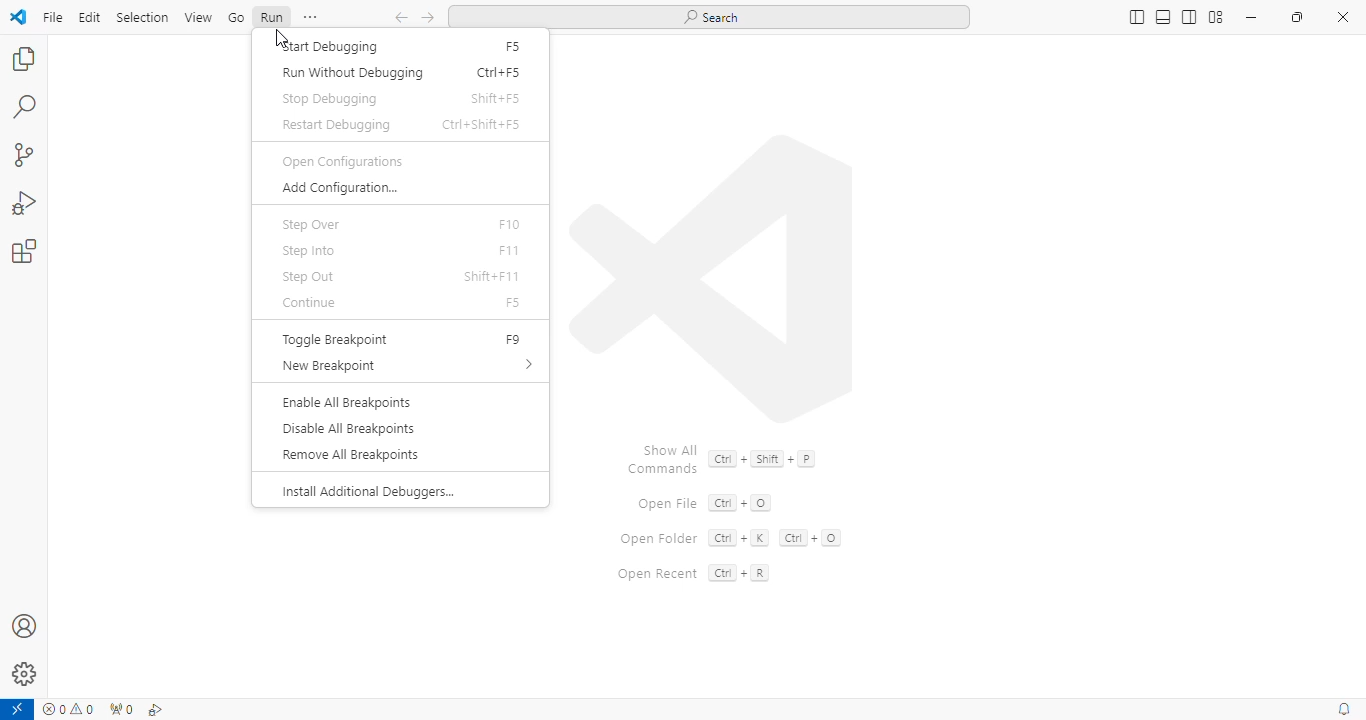 This screenshot has height=720, width=1366. I want to click on no problems, so click(70, 709).